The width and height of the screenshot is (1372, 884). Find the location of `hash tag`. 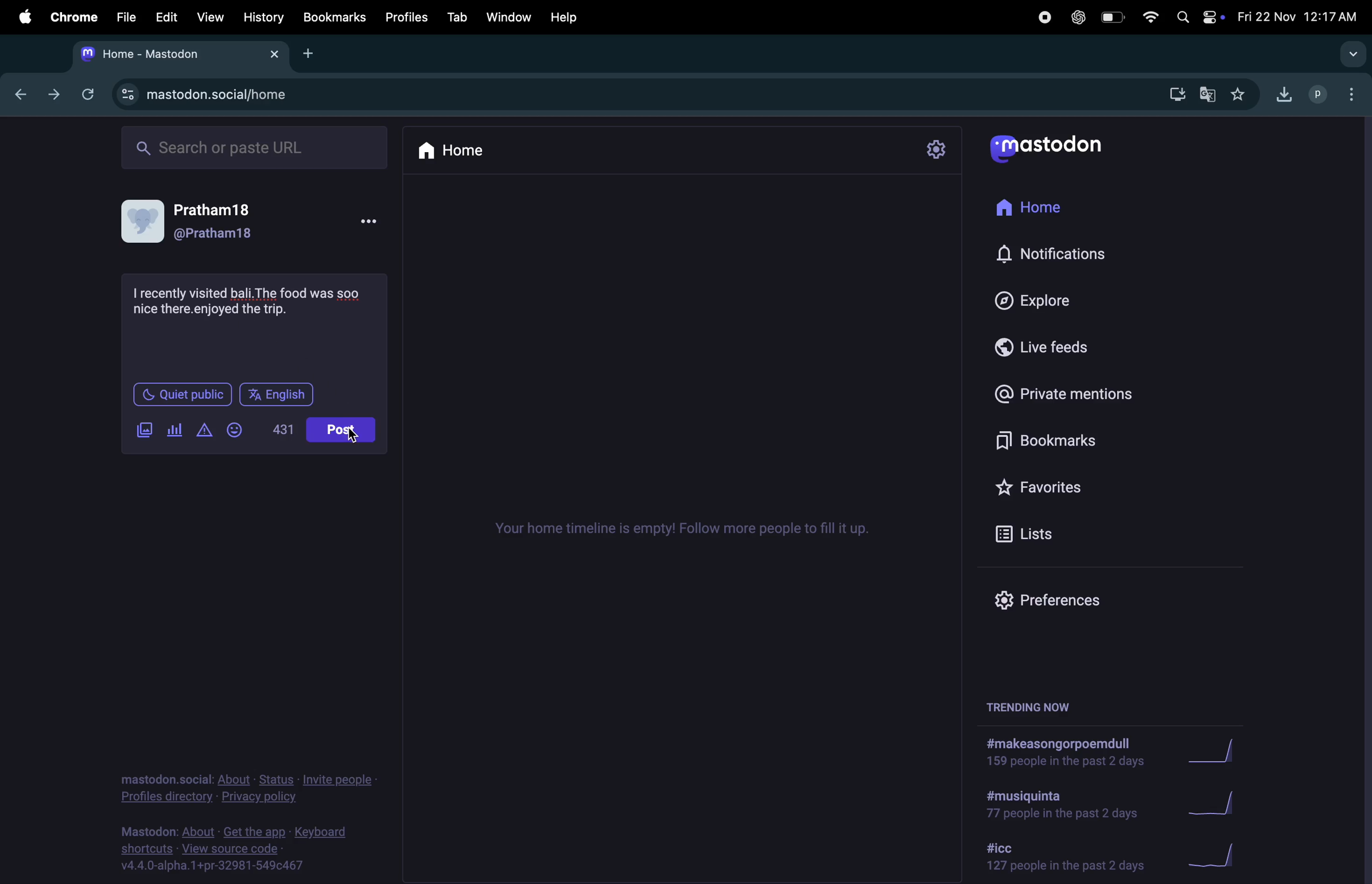

hash tag is located at coordinates (1063, 805).